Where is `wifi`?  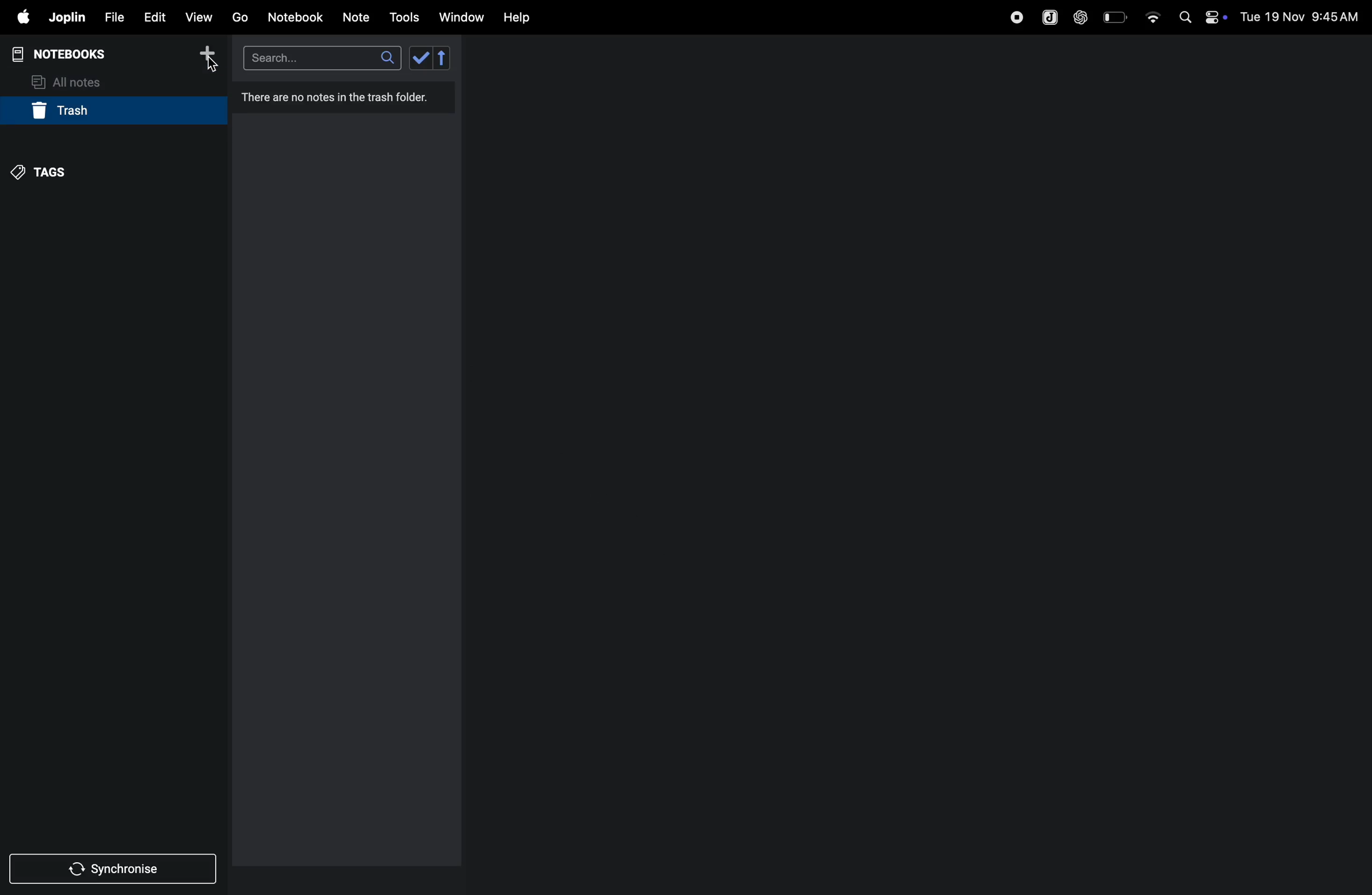
wifi is located at coordinates (1152, 13).